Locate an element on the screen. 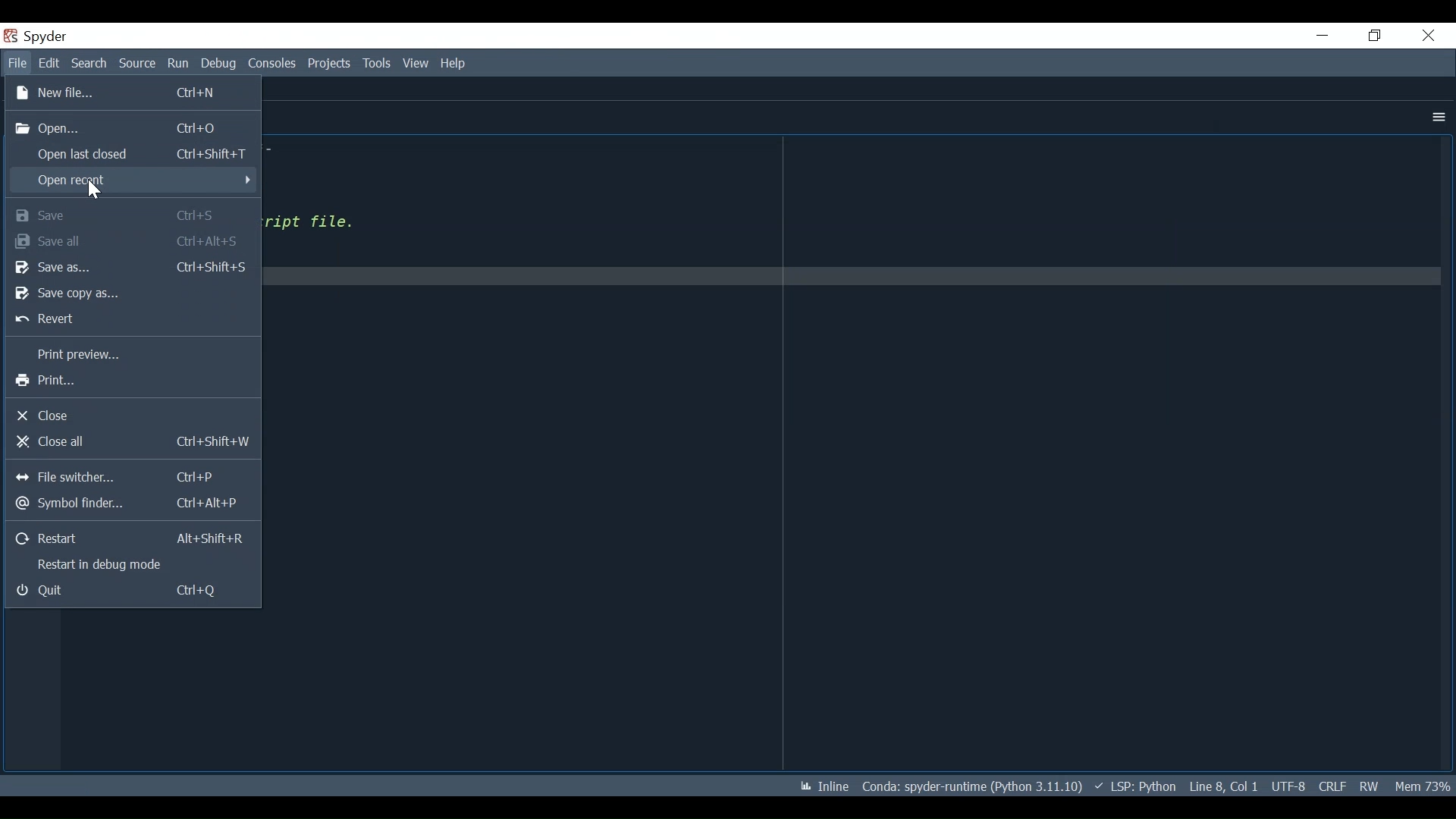 This screenshot has height=819, width=1456. Quit is located at coordinates (131, 591).